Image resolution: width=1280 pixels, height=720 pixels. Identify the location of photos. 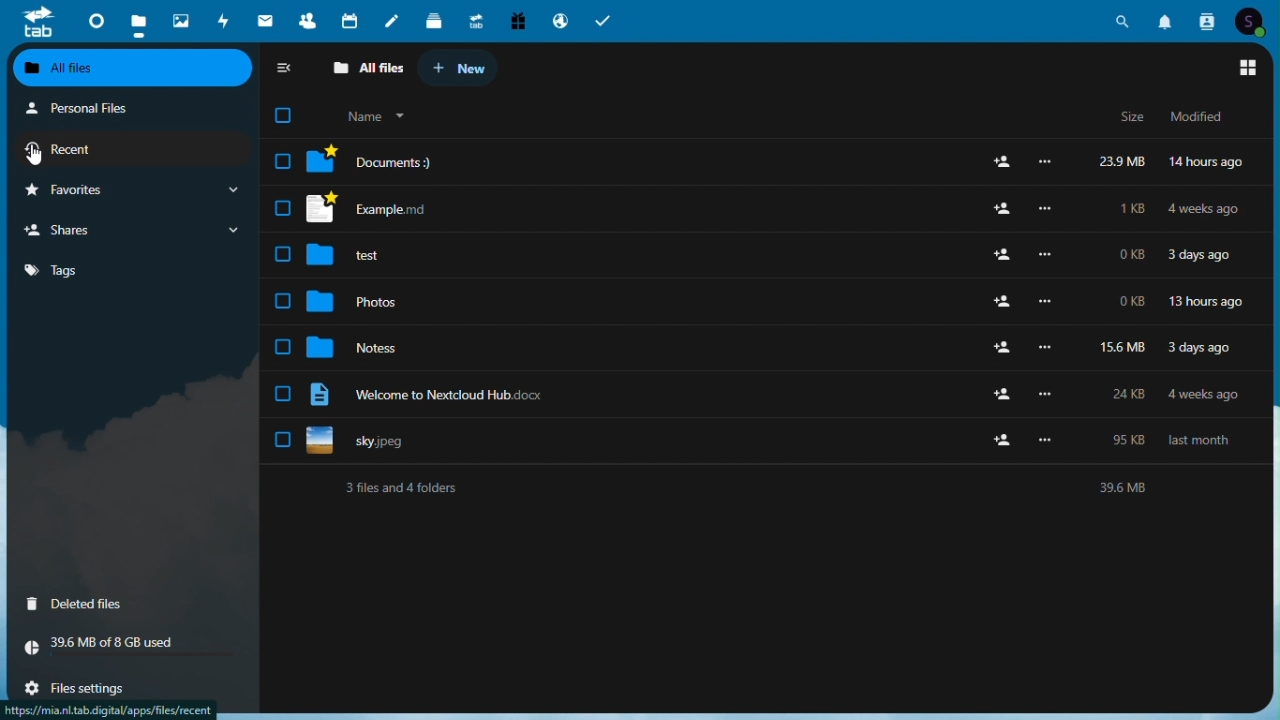
(361, 298).